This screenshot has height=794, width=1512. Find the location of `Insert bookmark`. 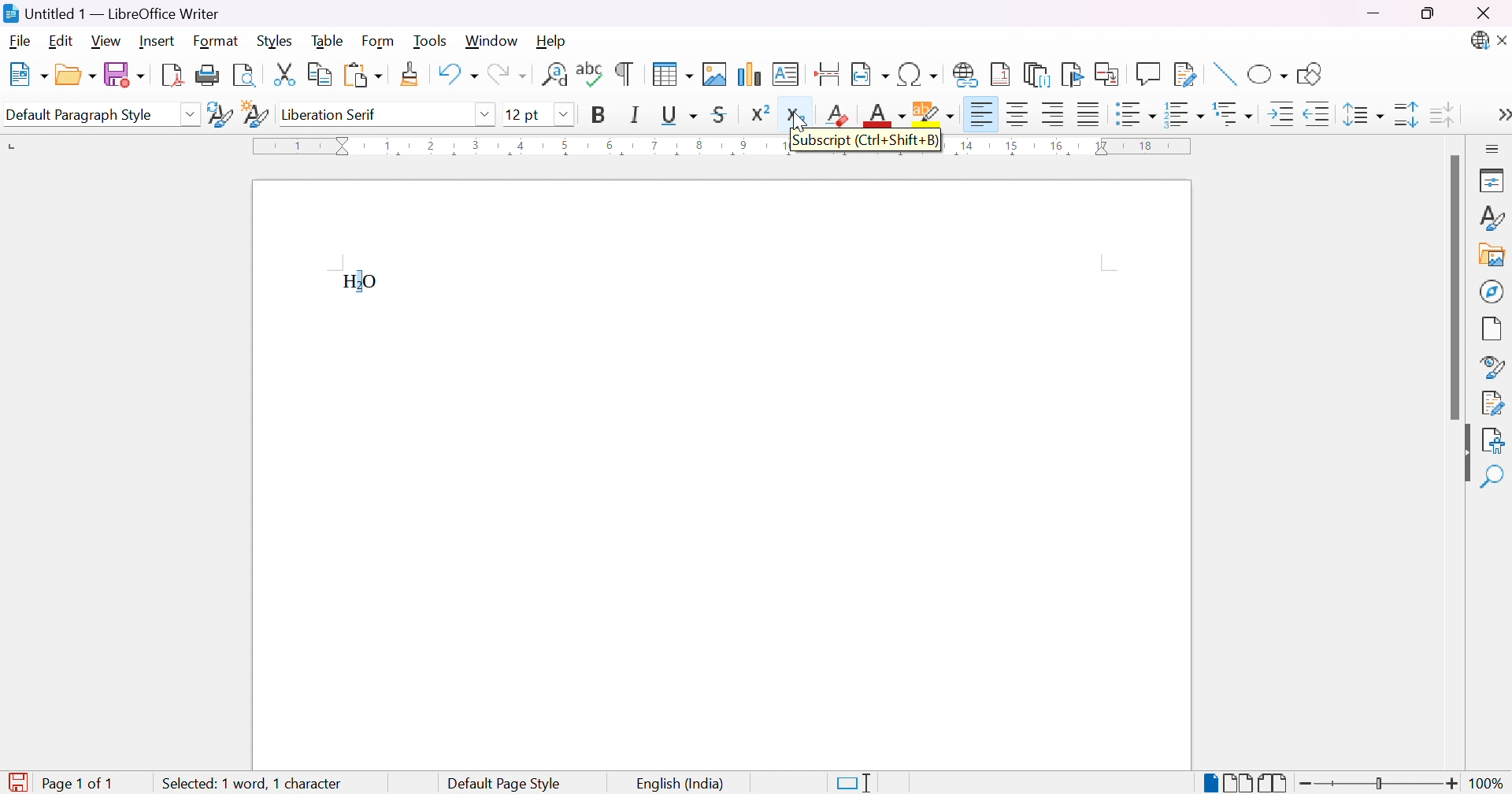

Insert bookmark is located at coordinates (1073, 74).